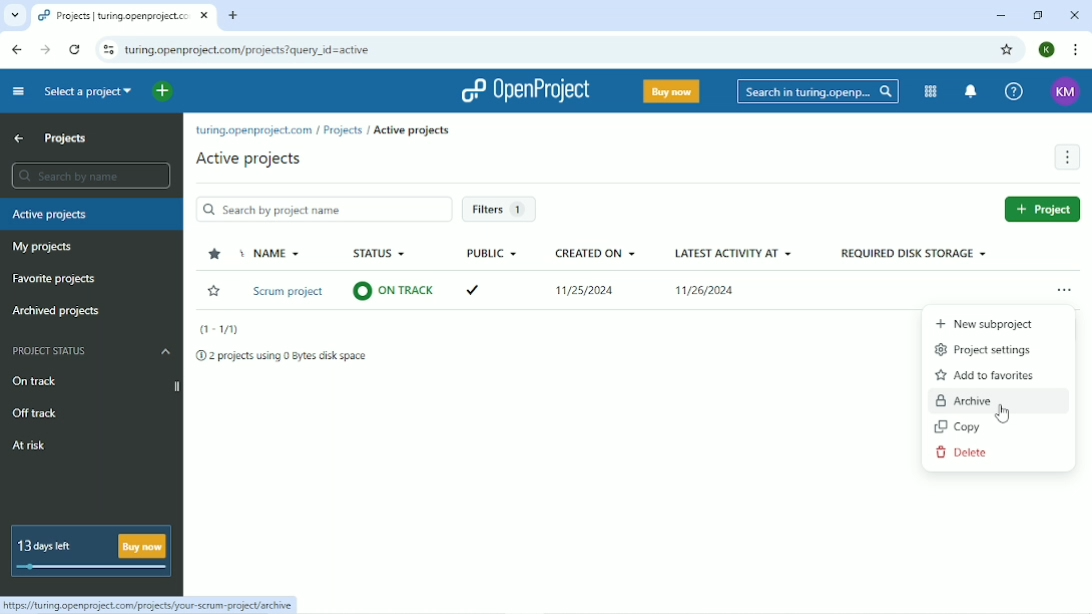  I want to click on Sort by favorite, so click(216, 254).